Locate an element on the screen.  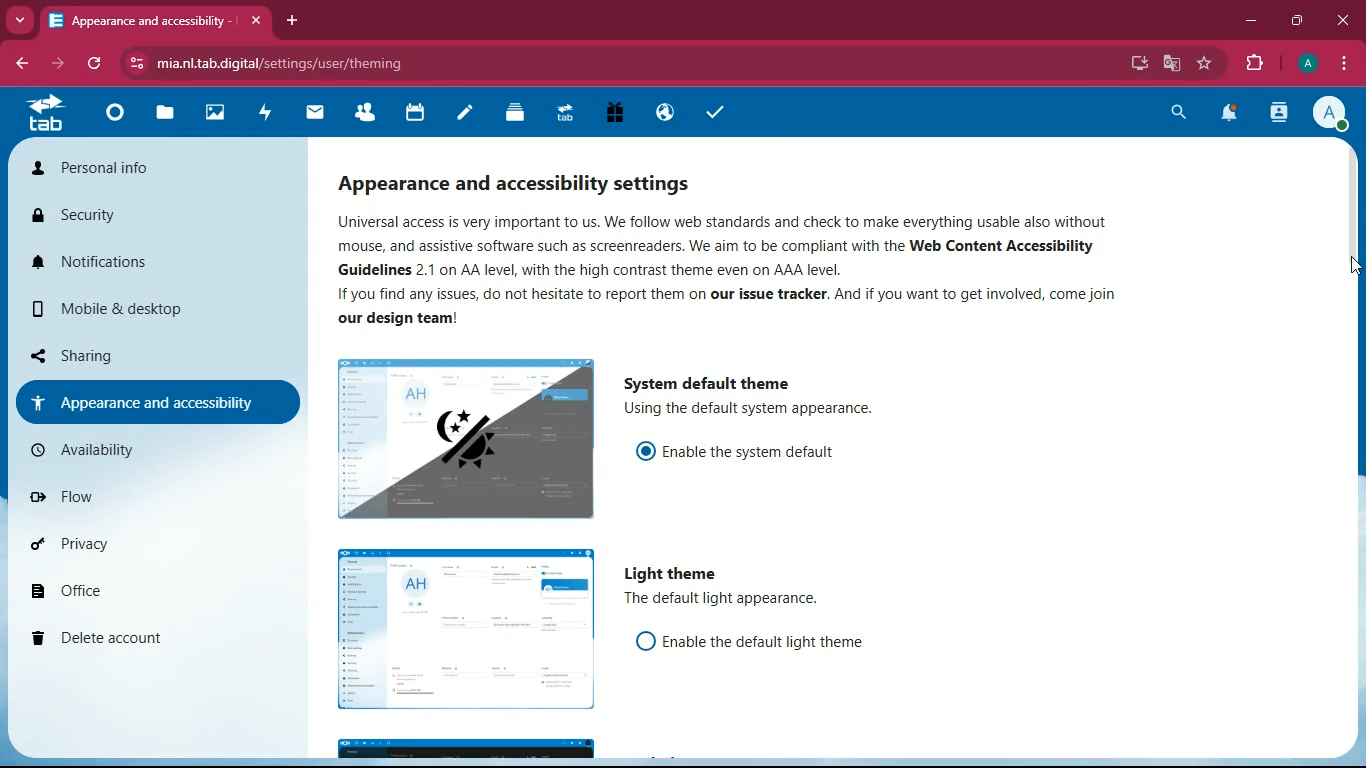
mail is located at coordinates (317, 116).